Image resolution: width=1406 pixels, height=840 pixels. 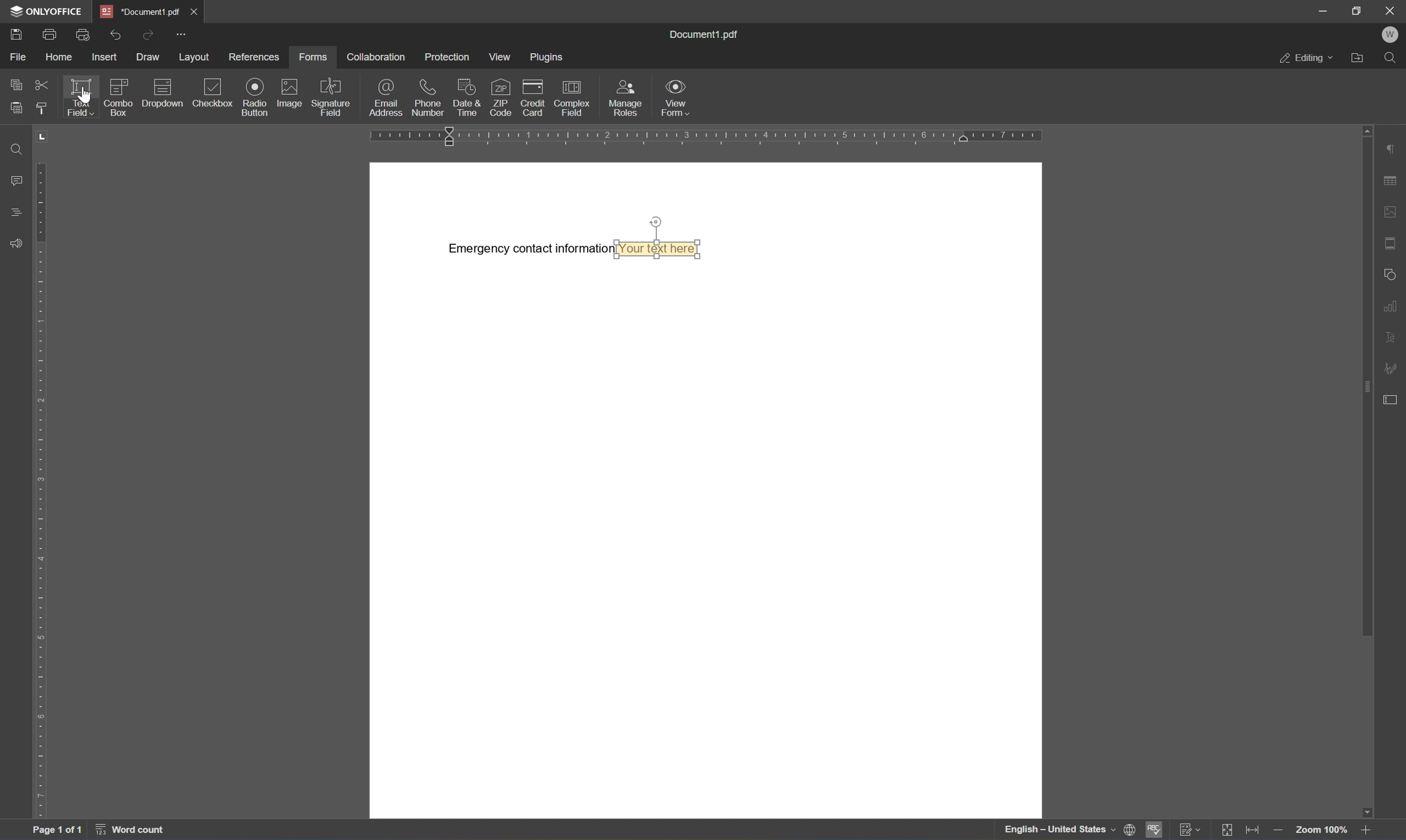 I want to click on paste, so click(x=16, y=109).